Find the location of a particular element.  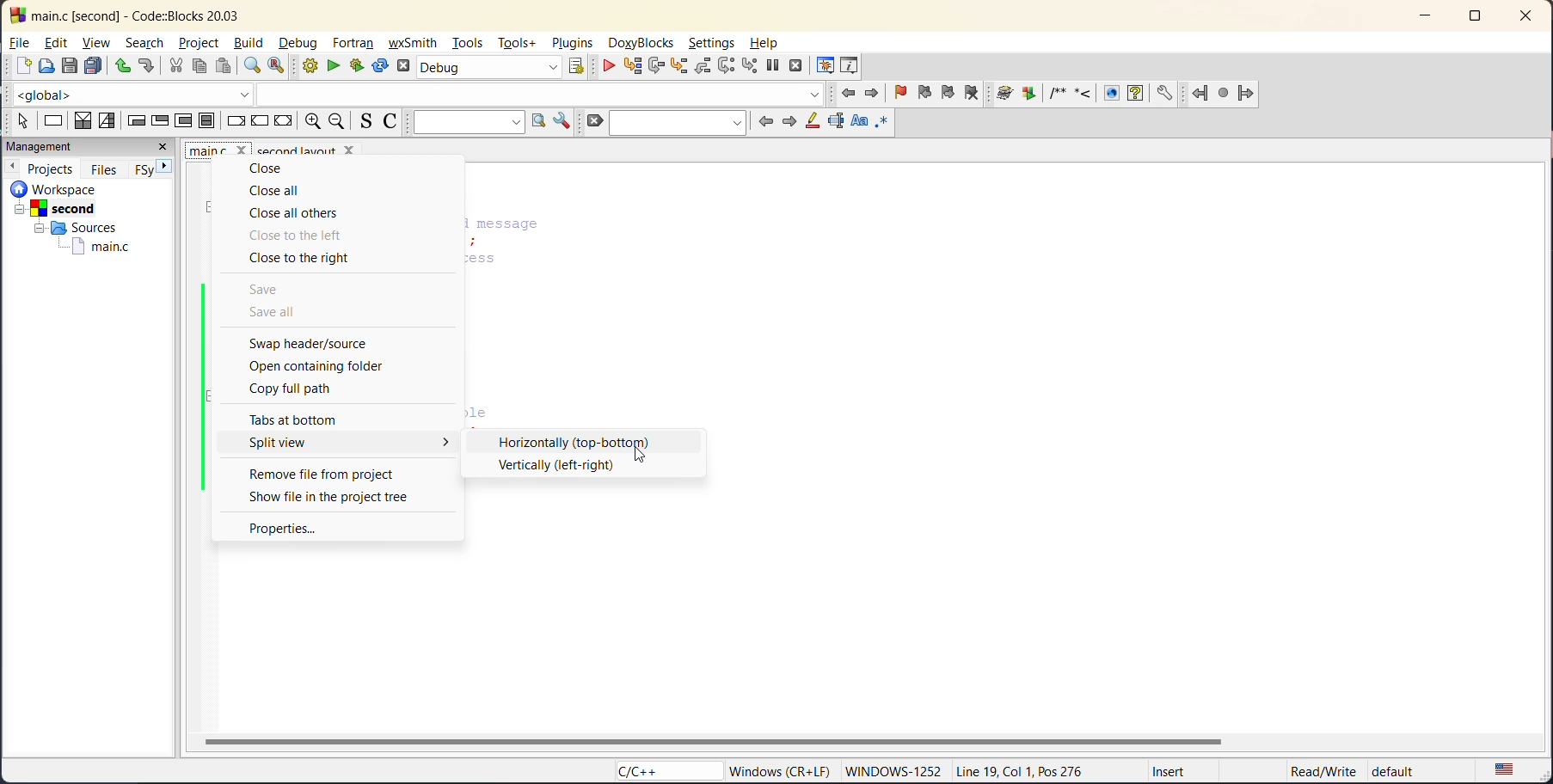

settings is located at coordinates (712, 44).